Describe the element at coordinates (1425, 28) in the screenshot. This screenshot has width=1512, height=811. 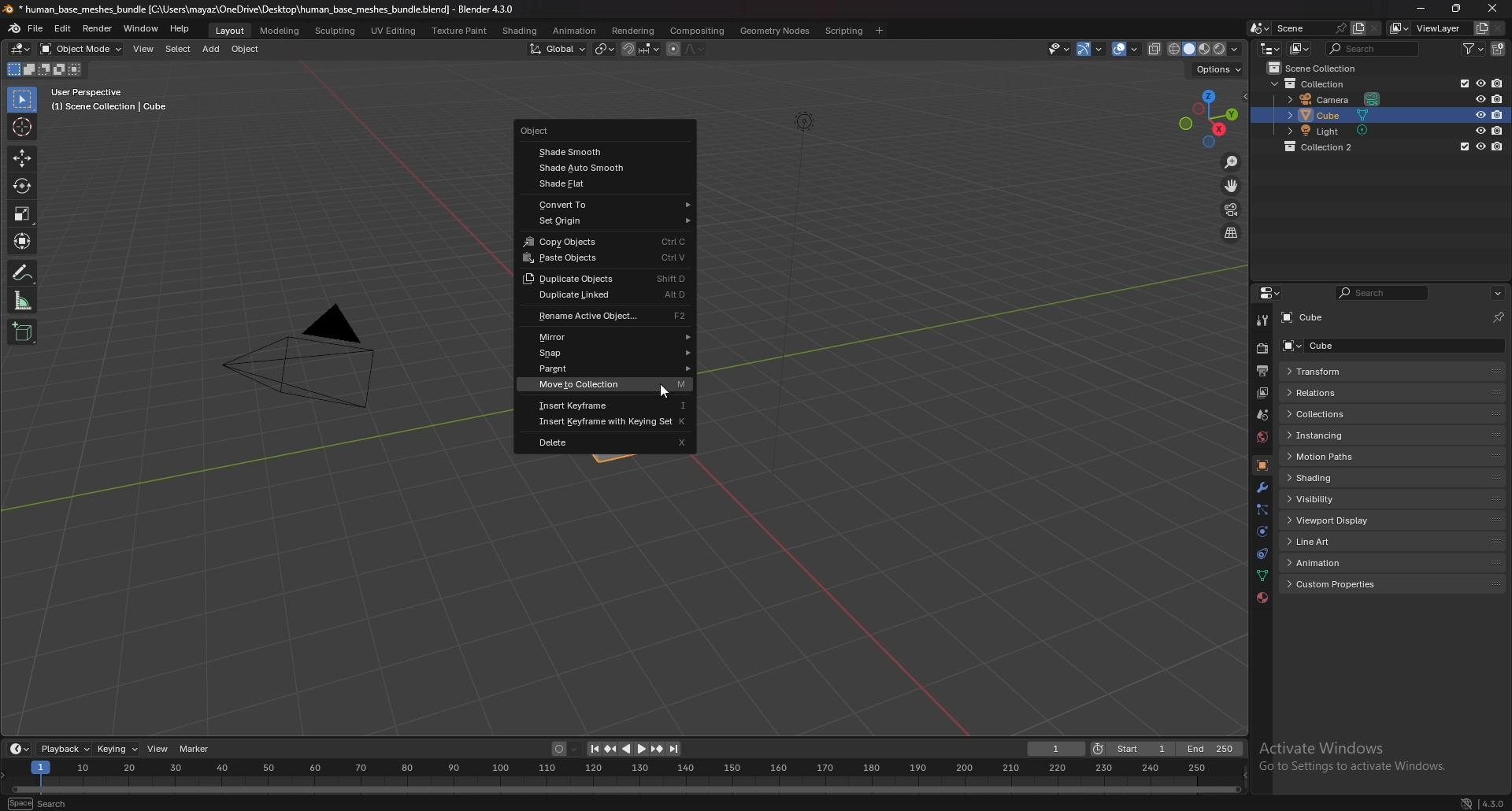
I see `view layer` at that location.